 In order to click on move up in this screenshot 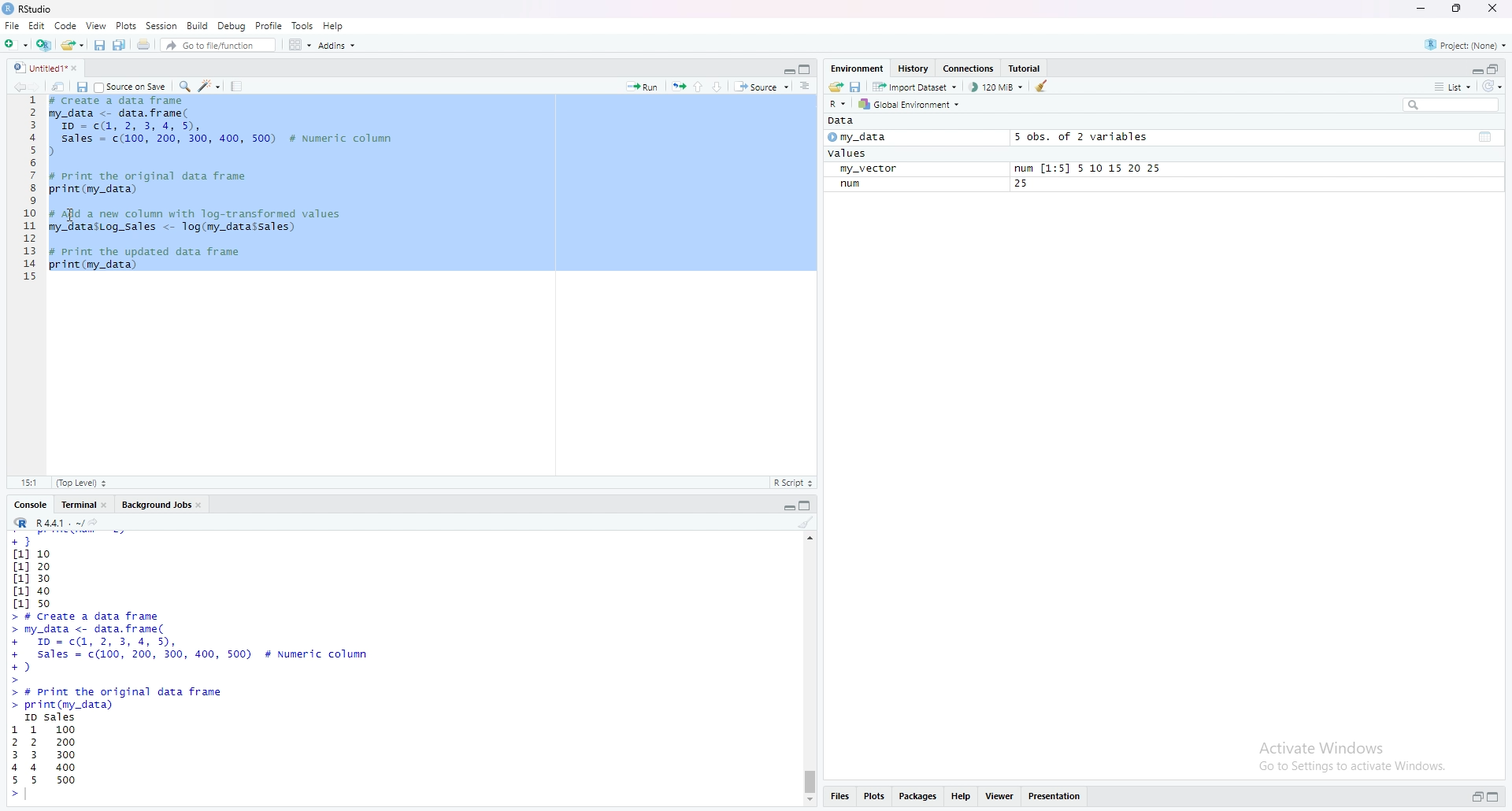, I will do `click(810, 543)`.